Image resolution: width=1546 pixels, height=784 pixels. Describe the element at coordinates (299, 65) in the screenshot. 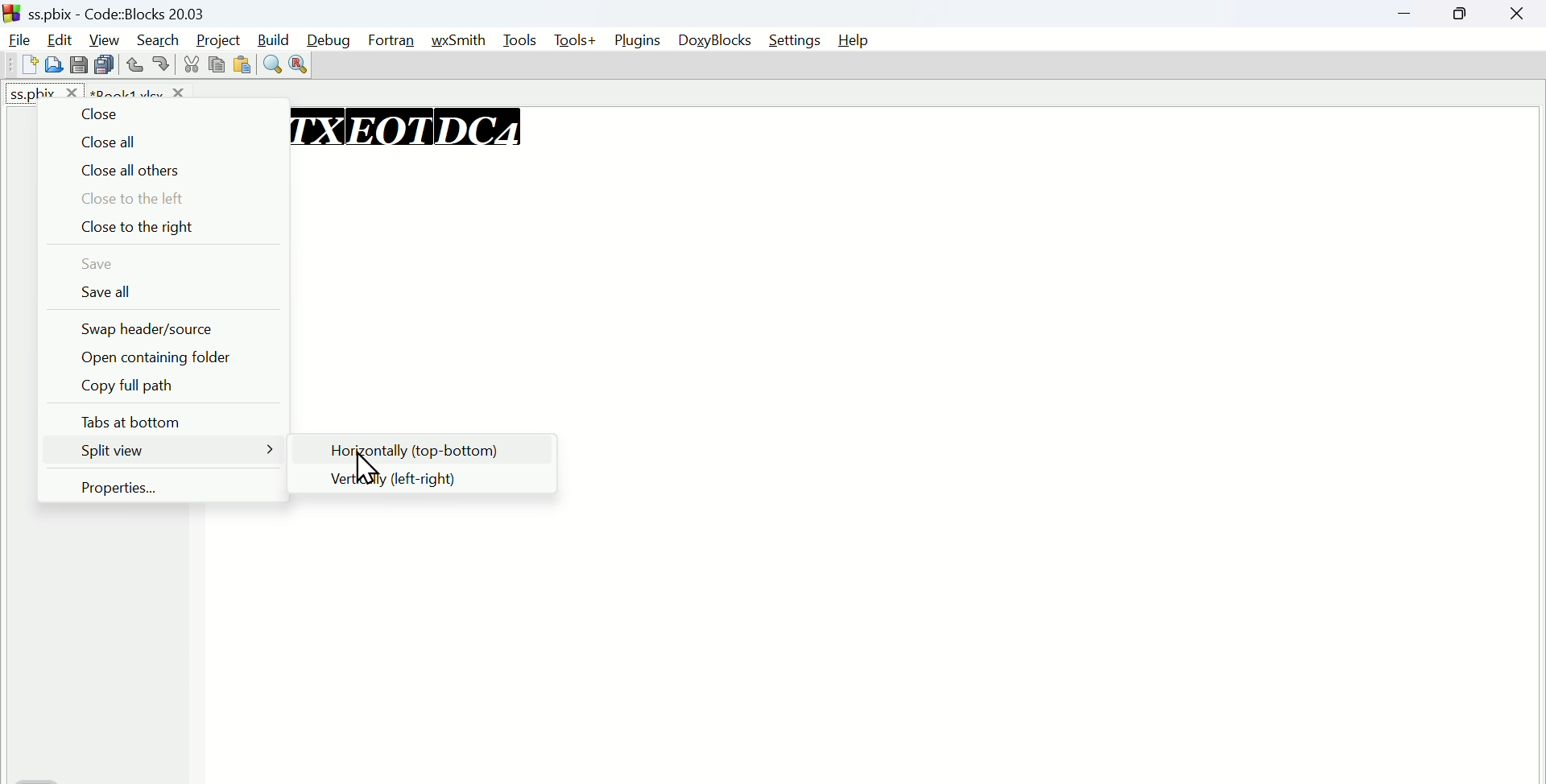

I see `Replace` at that location.